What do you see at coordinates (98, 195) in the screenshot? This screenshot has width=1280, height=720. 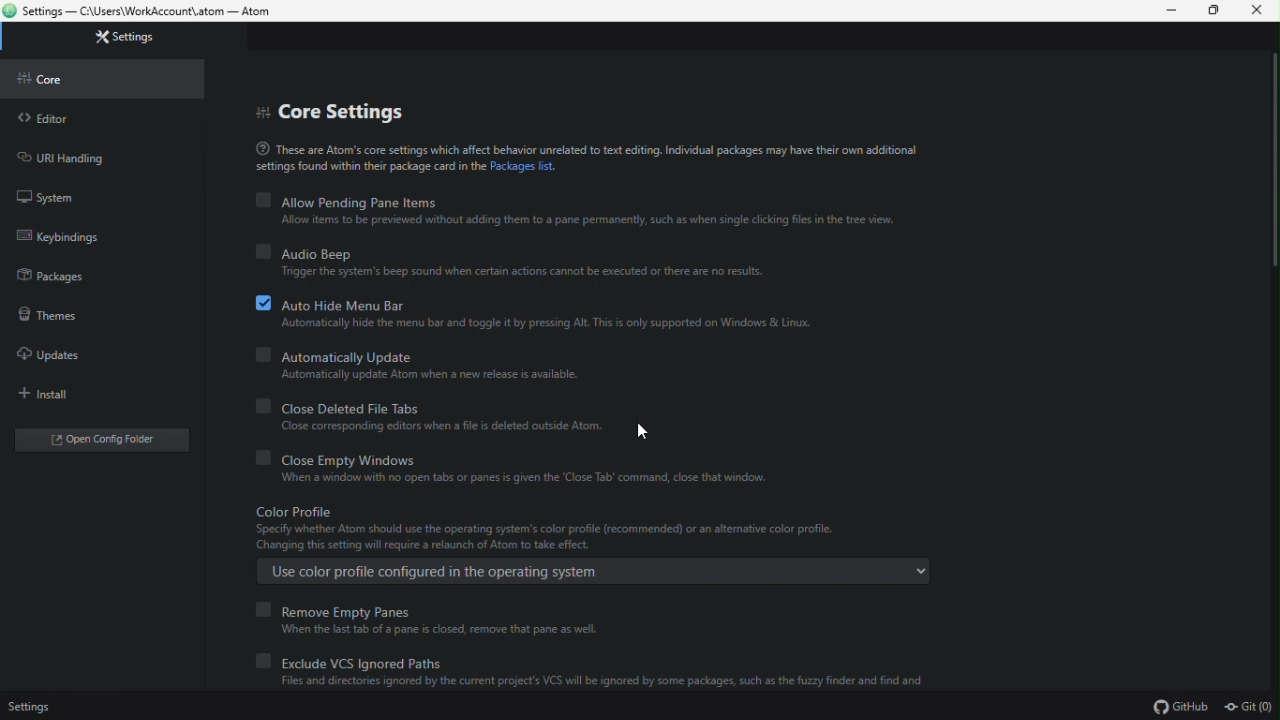 I see `system` at bounding box center [98, 195].